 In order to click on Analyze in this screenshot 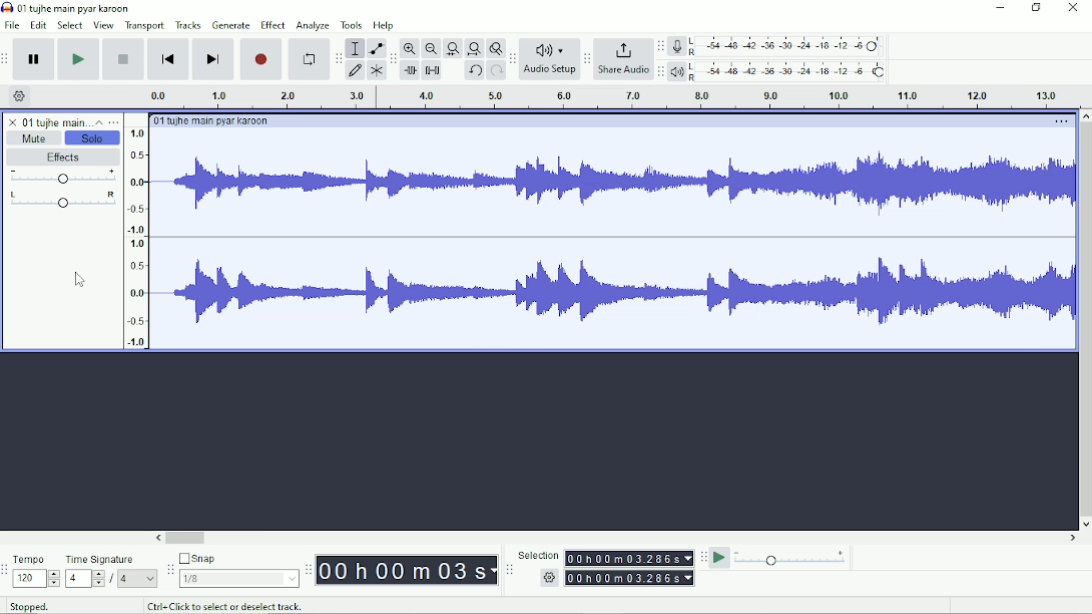, I will do `click(312, 25)`.